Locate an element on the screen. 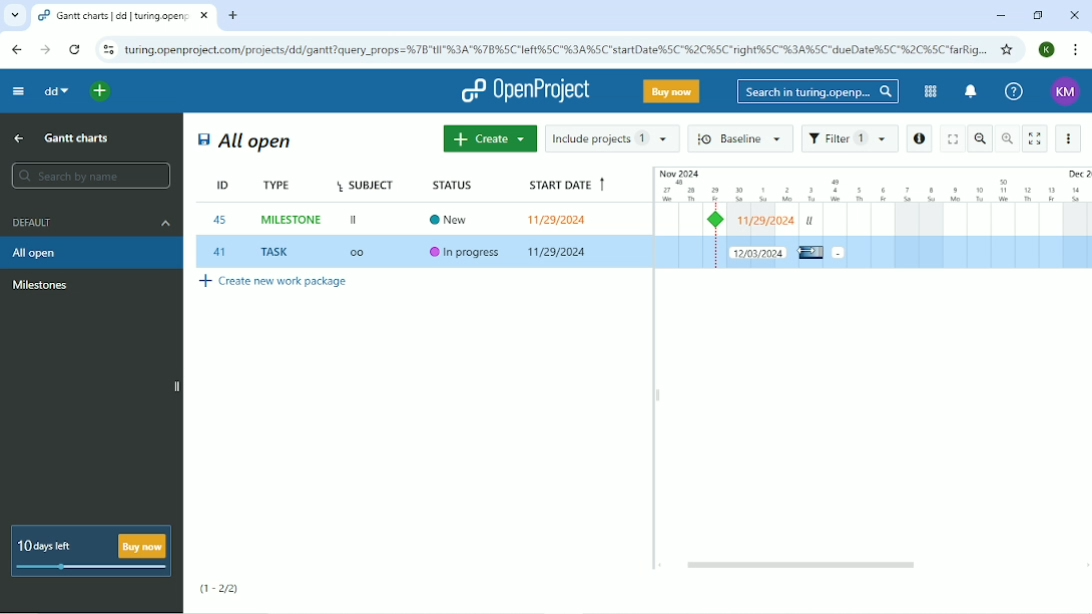 The image size is (1092, 614). Back is located at coordinates (18, 49).